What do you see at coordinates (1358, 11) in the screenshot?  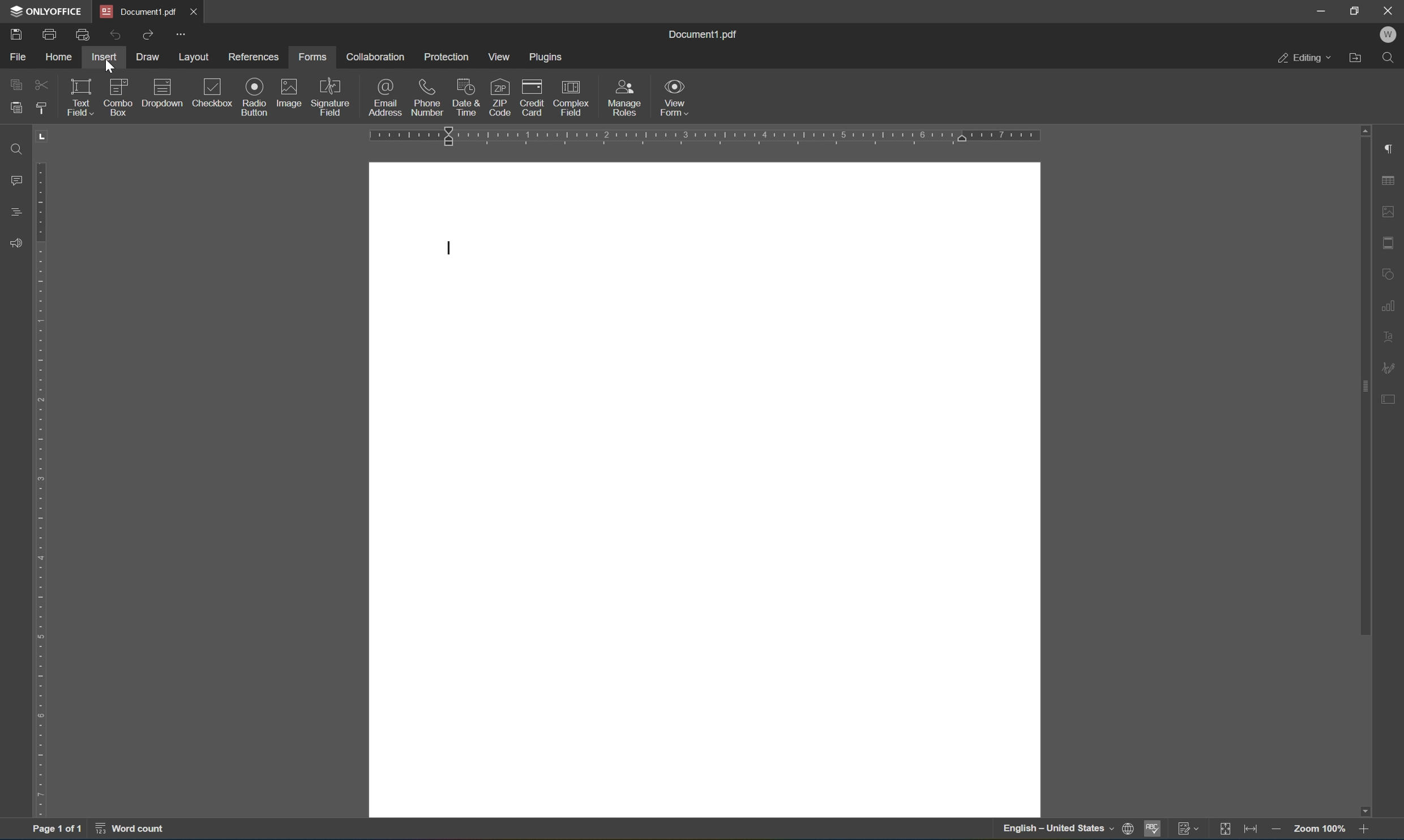 I see `restore down` at bounding box center [1358, 11].